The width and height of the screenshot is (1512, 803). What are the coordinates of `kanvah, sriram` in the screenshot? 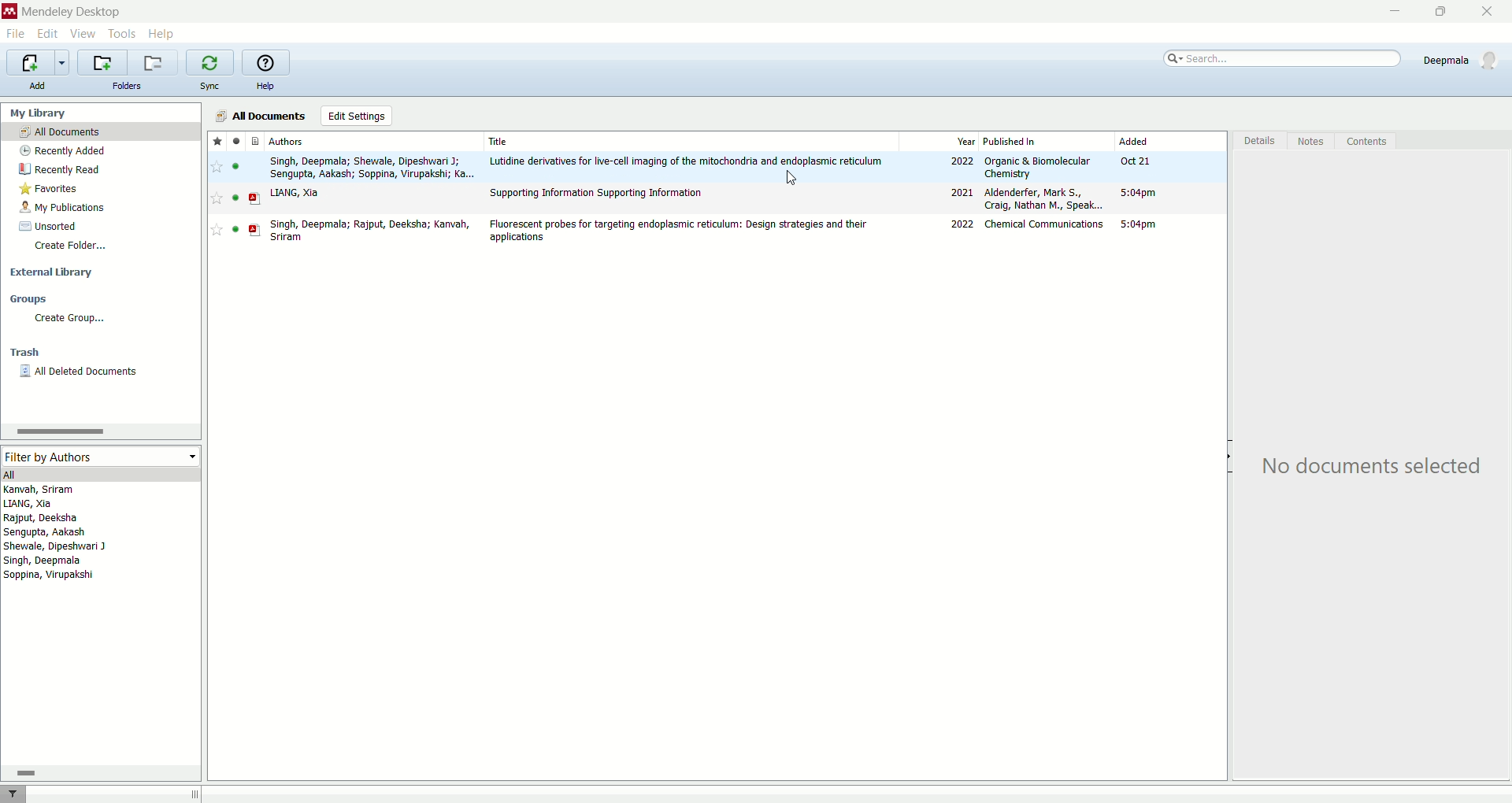 It's located at (40, 490).